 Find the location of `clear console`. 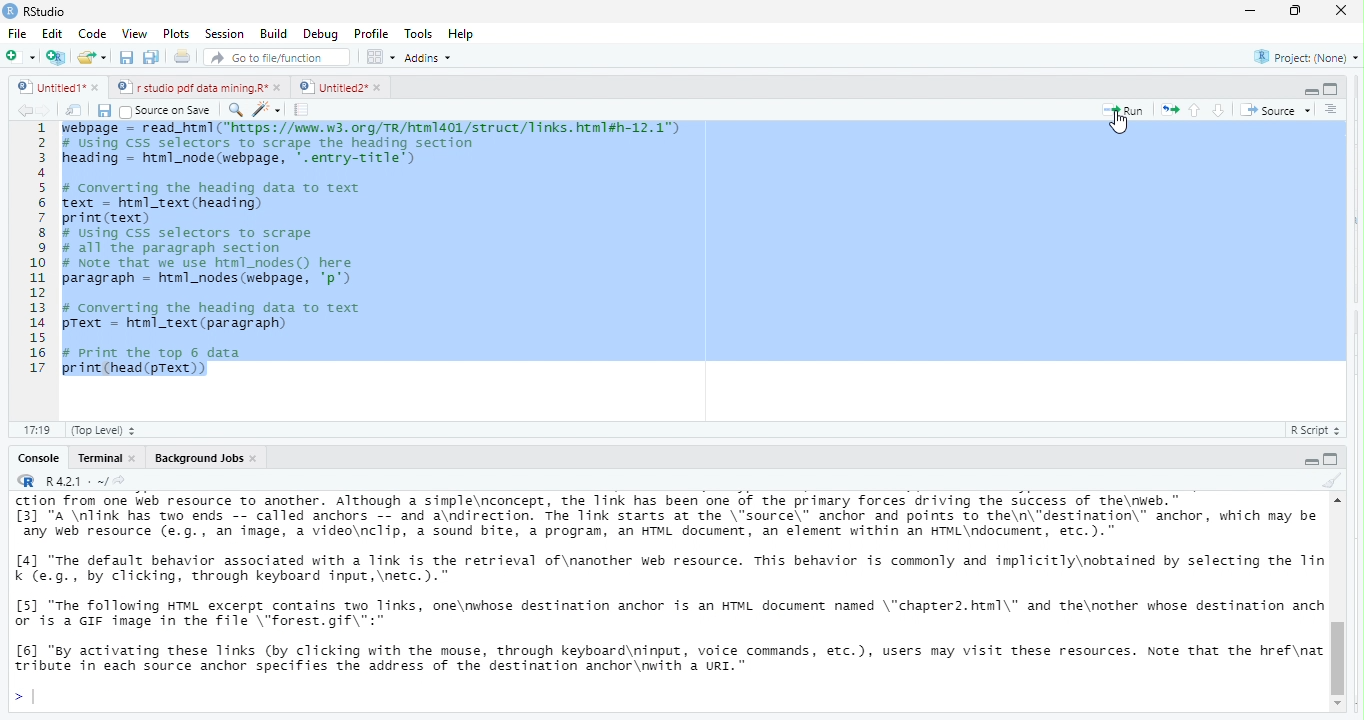

clear console is located at coordinates (1340, 478).